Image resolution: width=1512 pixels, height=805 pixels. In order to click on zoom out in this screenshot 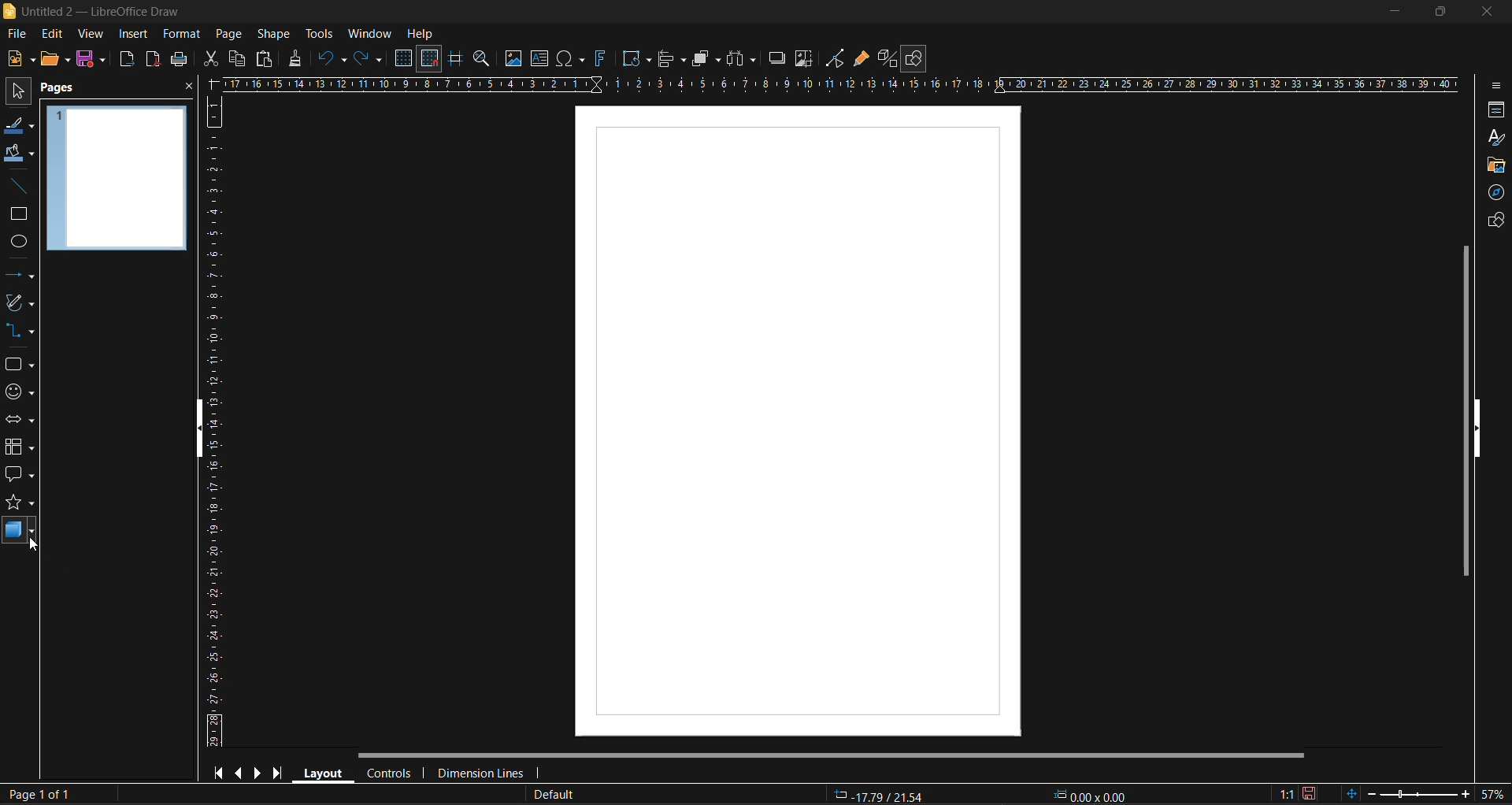, I will do `click(1371, 792)`.